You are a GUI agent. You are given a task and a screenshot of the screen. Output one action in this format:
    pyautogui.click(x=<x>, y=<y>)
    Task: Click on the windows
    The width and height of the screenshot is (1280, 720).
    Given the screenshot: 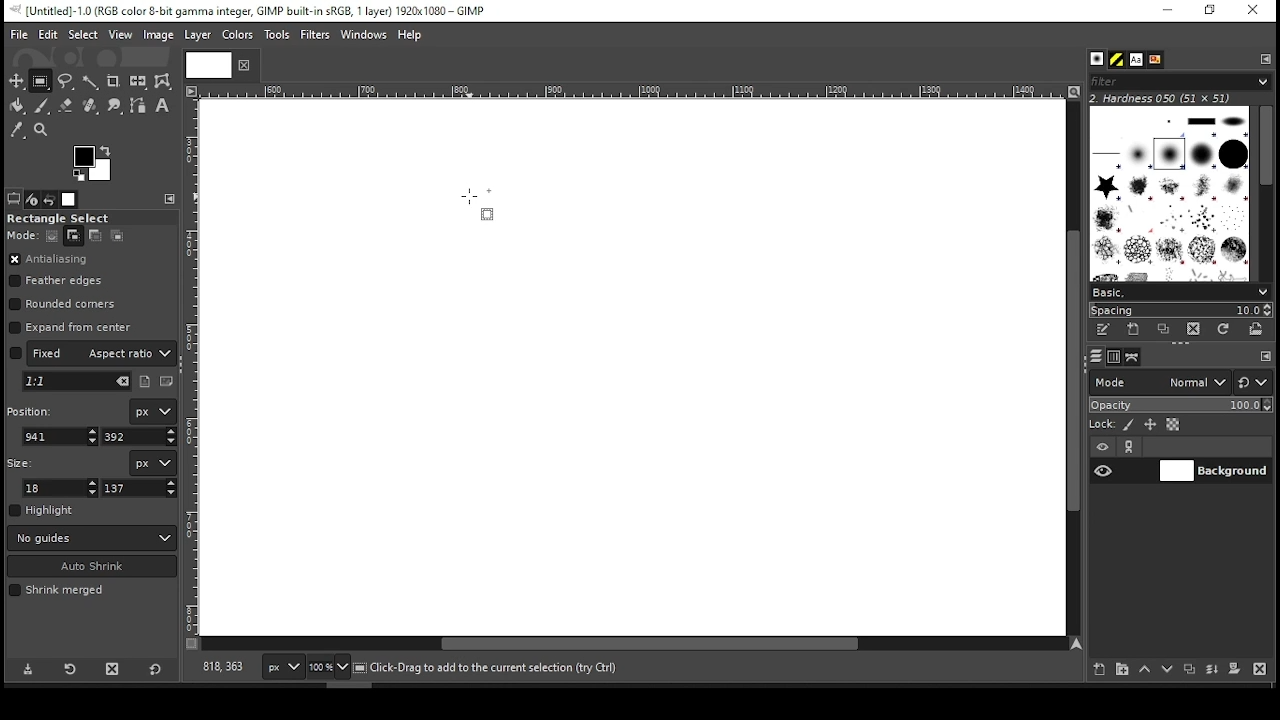 What is the action you would take?
    pyautogui.click(x=365, y=36)
    